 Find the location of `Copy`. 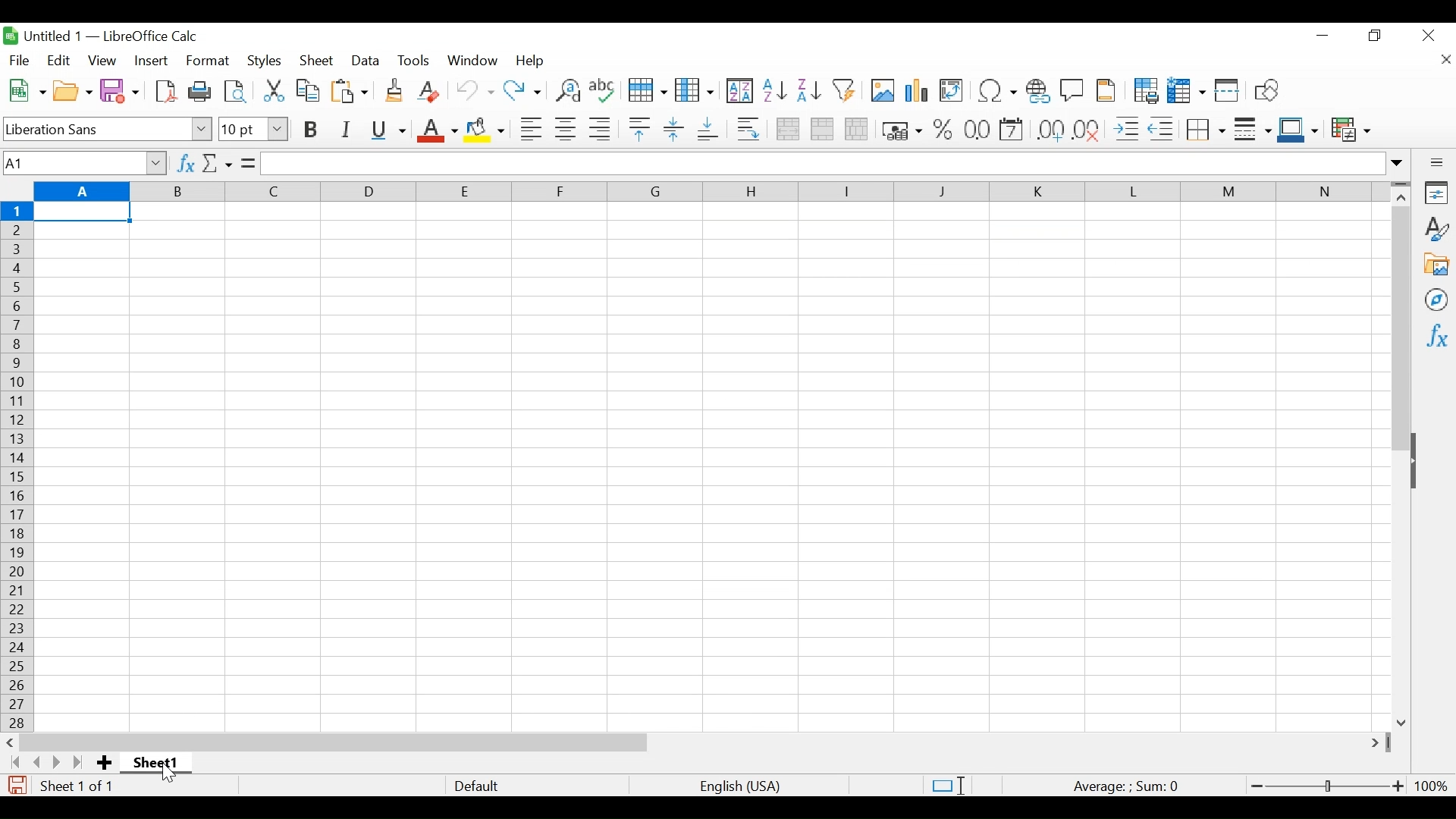

Copy is located at coordinates (308, 89).